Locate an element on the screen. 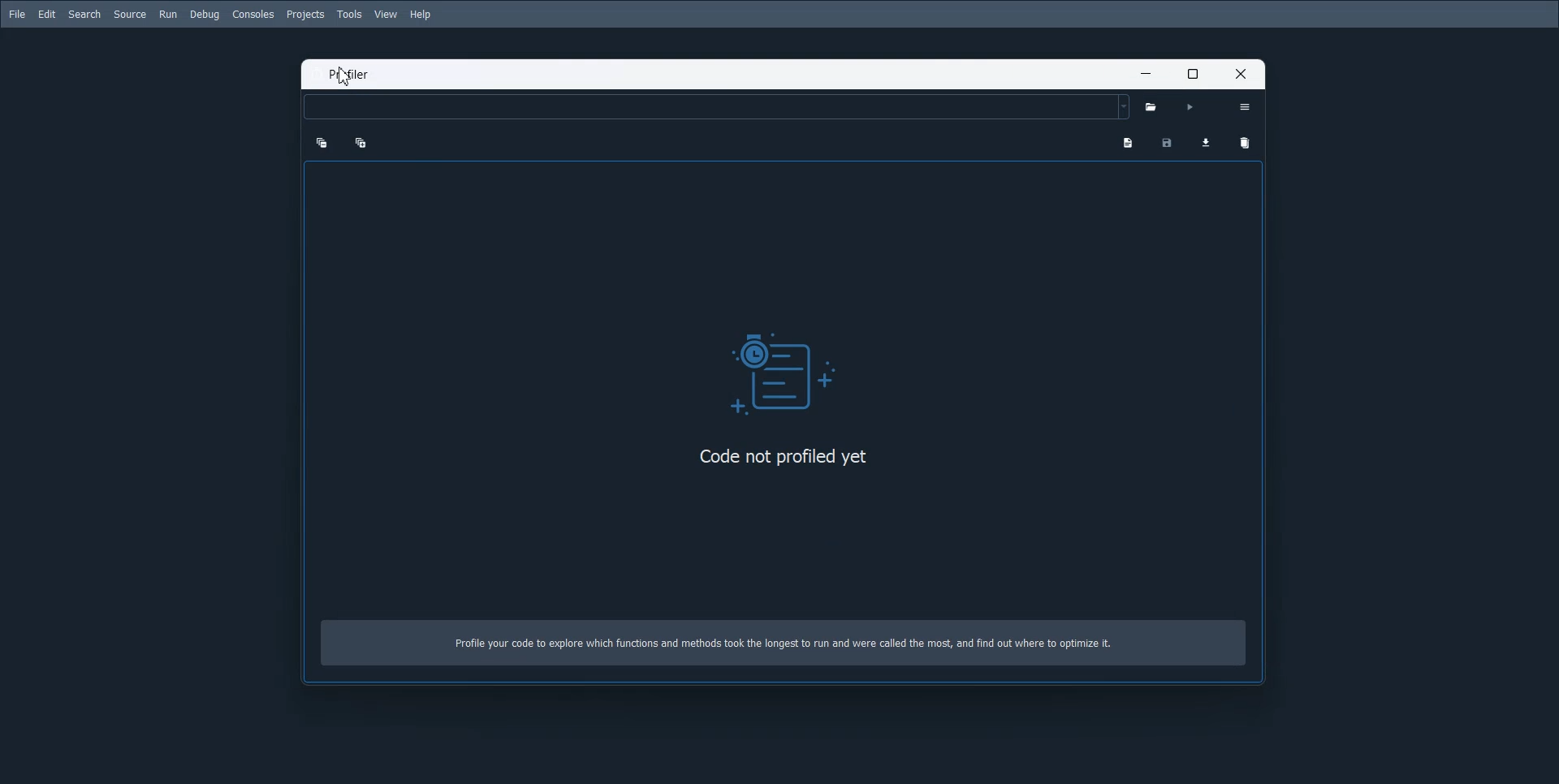  Show programs output is located at coordinates (1126, 141).